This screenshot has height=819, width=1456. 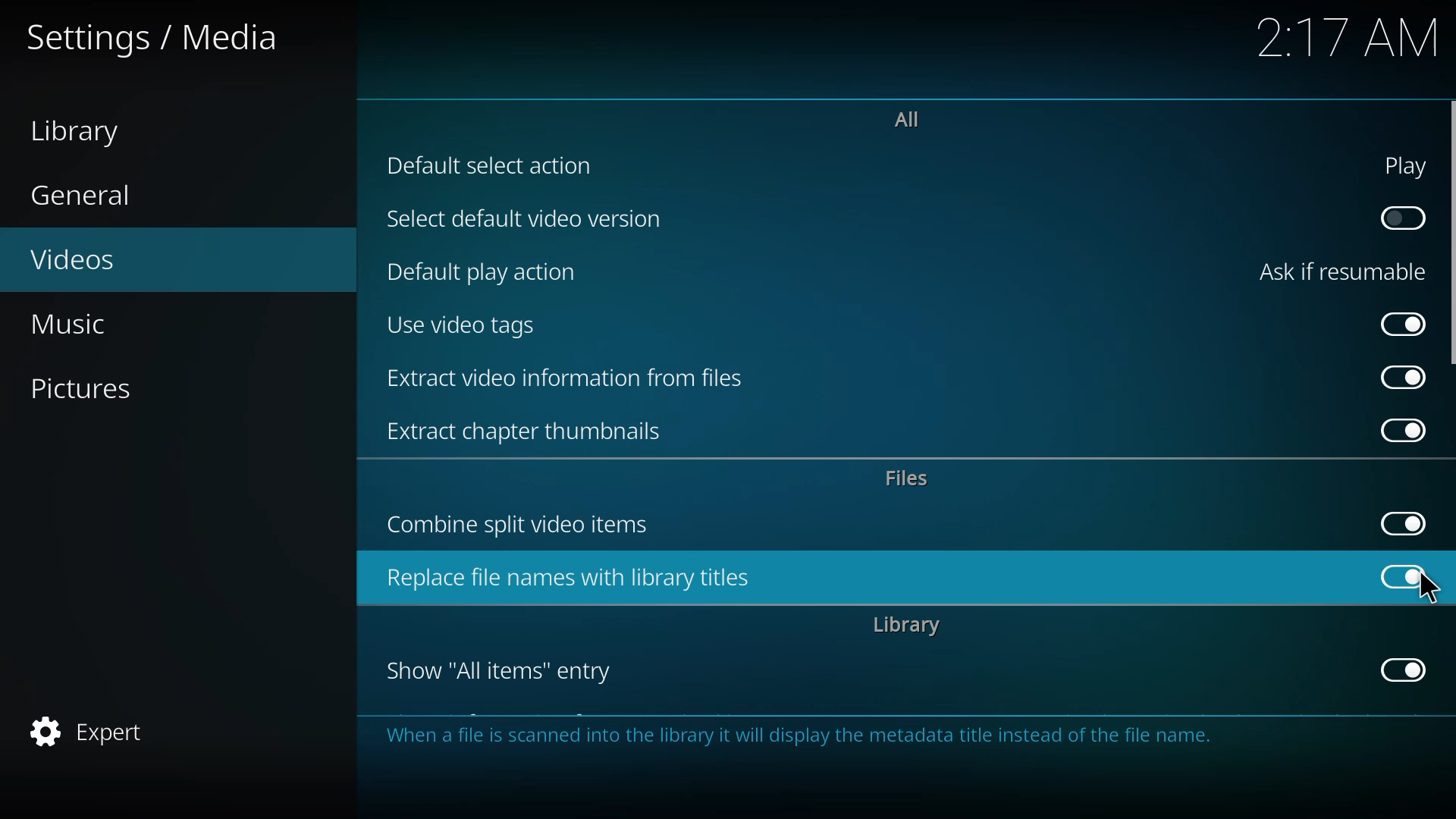 What do you see at coordinates (483, 272) in the screenshot?
I see `default play action` at bounding box center [483, 272].